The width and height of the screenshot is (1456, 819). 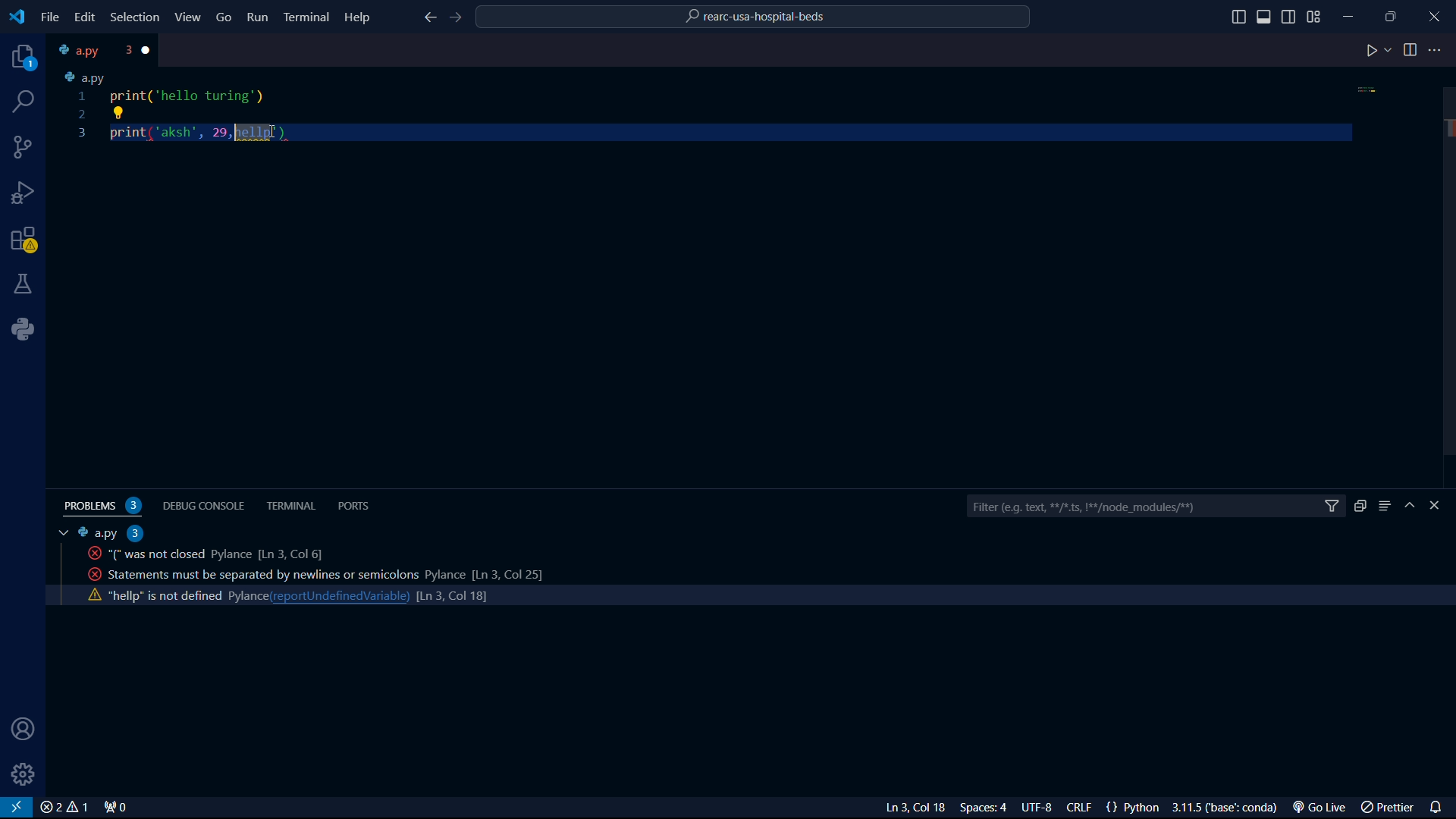 What do you see at coordinates (1412, 507) in the screenshot?
I see `hide` at bounding box center [1412, 507].